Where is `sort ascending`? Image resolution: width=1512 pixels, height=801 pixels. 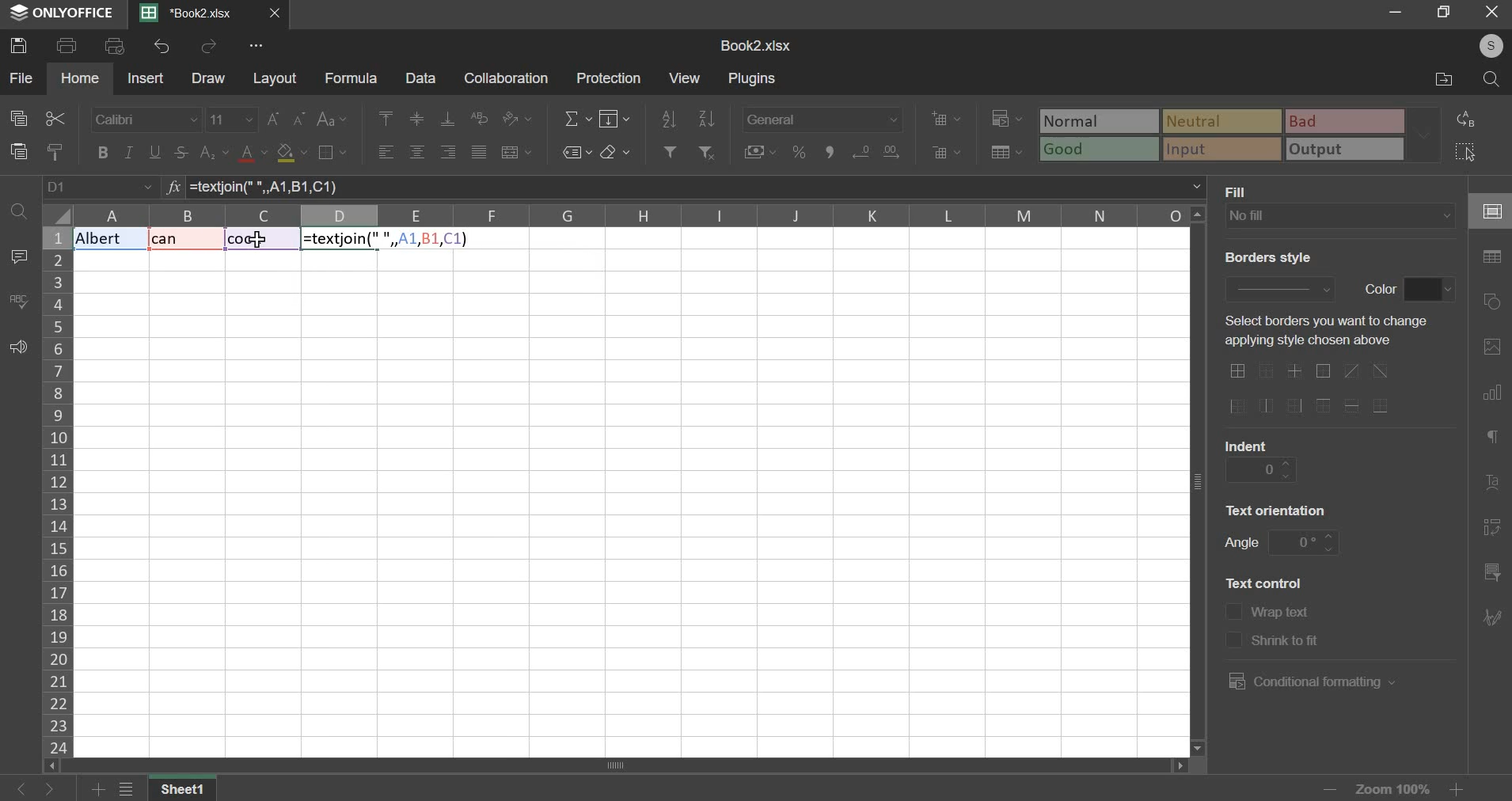 sort ascending is located at coordinates (669, 116).